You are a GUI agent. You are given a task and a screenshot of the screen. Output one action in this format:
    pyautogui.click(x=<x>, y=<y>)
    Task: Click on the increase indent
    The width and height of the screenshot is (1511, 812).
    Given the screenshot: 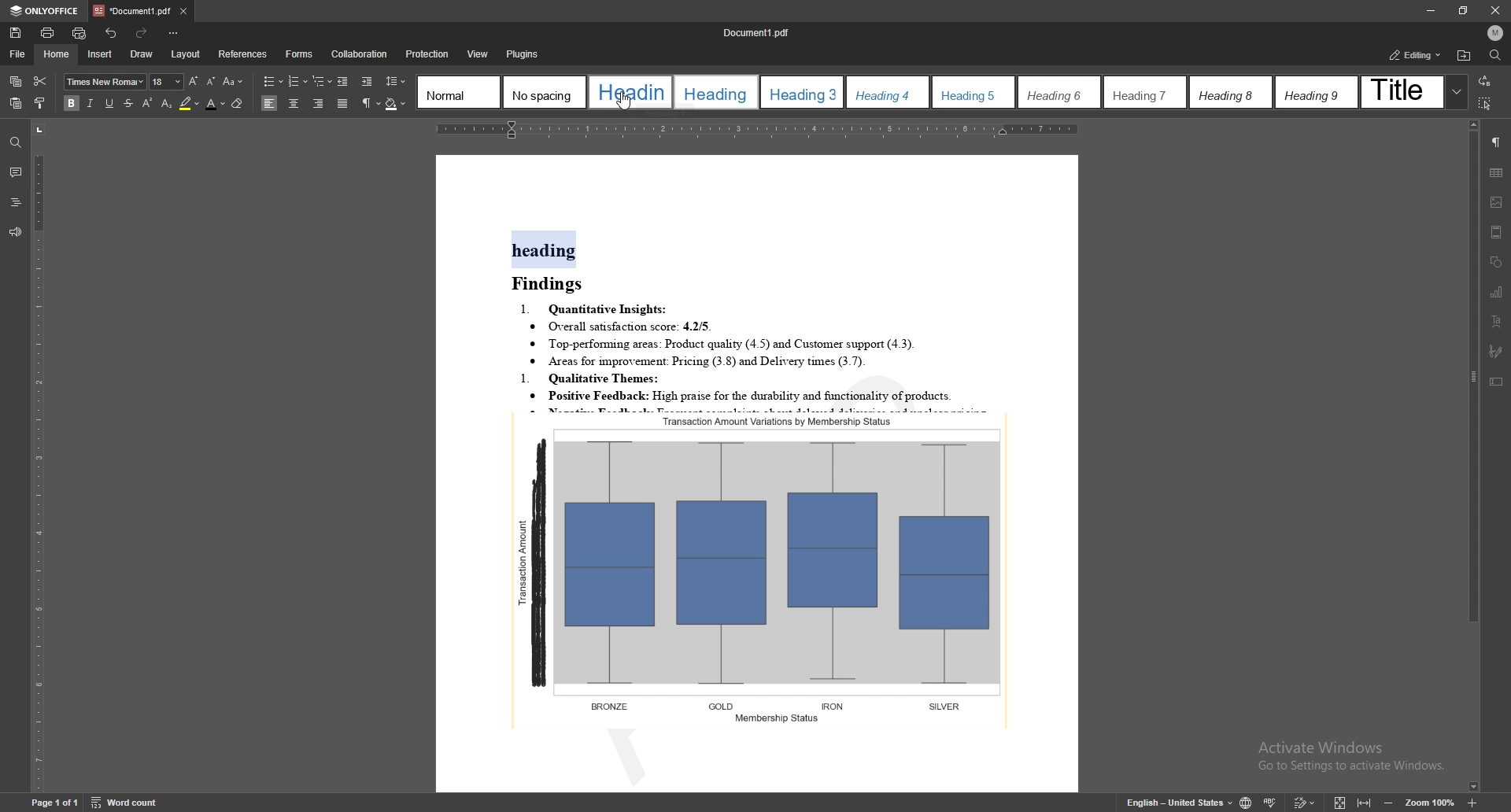 What is the action you would take?
    pyautogui.click(x=368, y=83)
    